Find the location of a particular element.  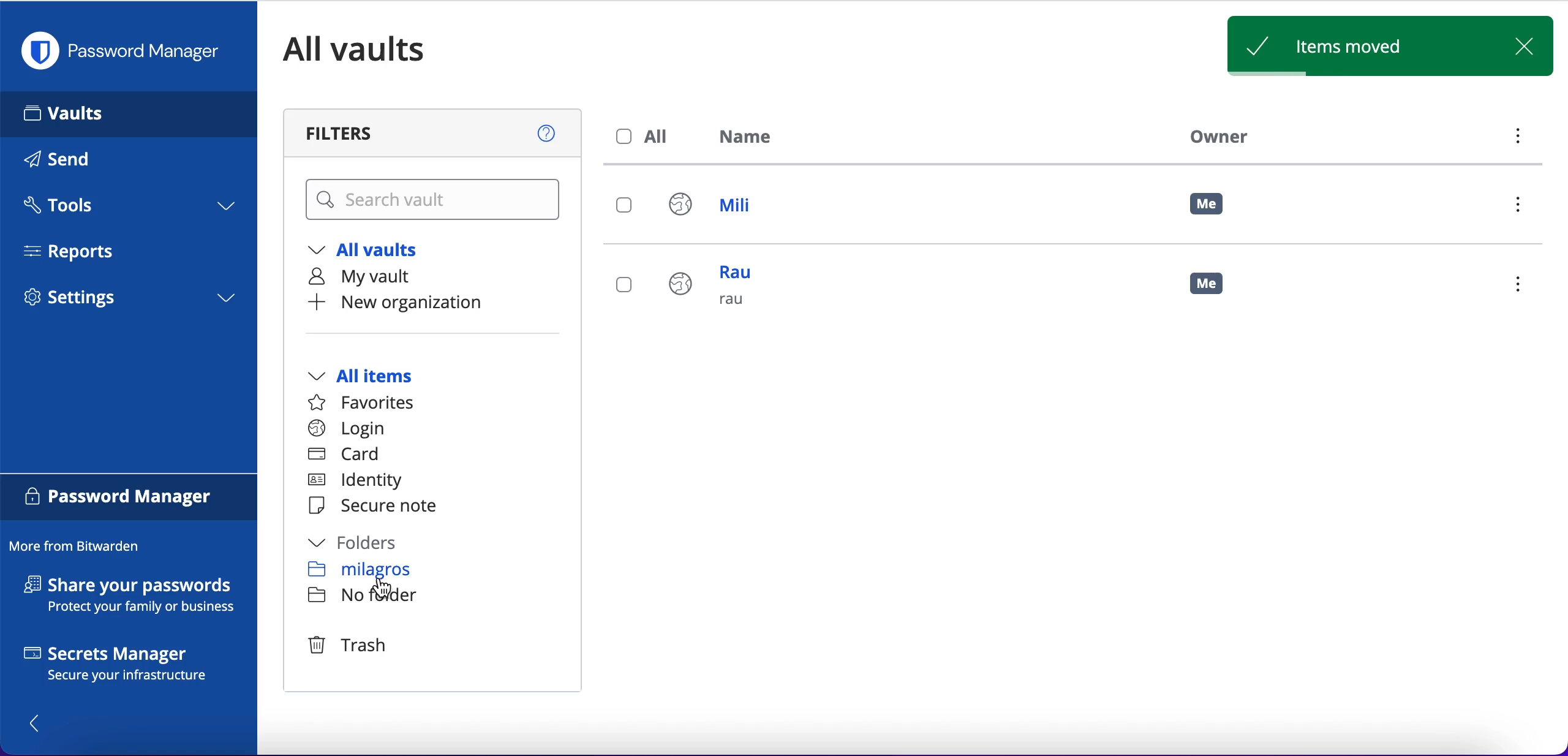

password manager is located at coordinates (129, 499).